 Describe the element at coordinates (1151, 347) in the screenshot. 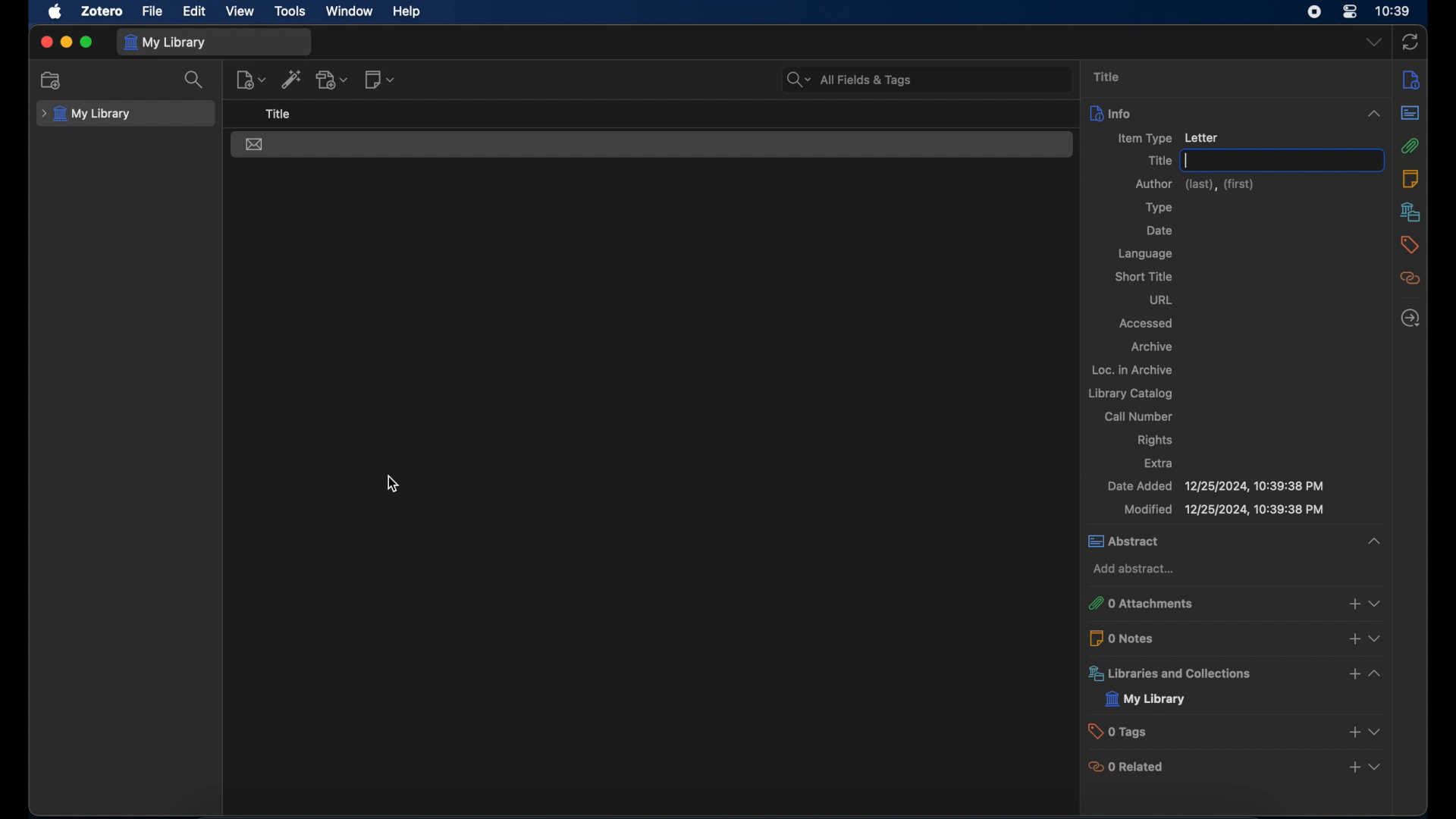

I see `archive` at that location.